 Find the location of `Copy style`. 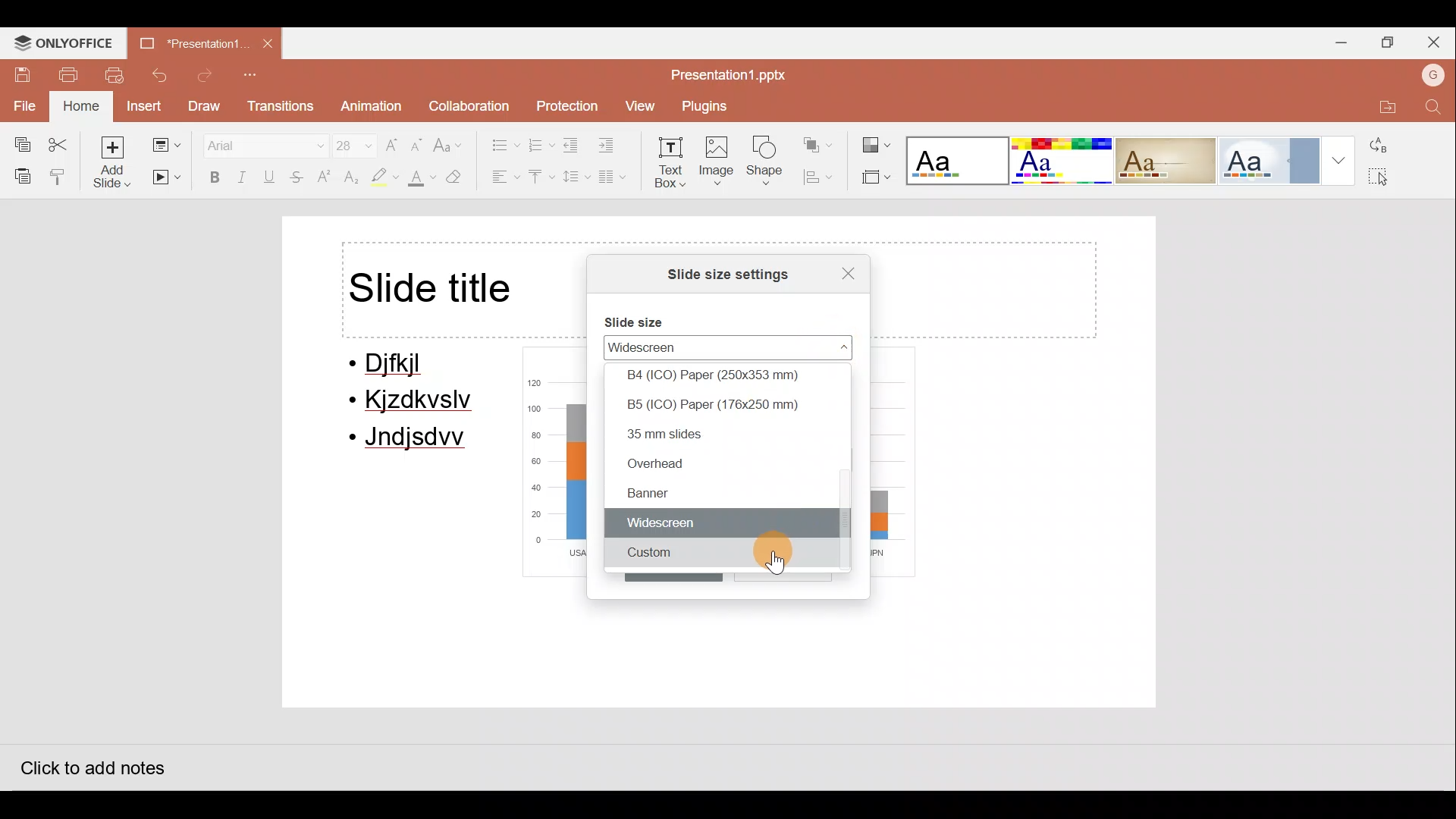

Copy style is located at coordinates (59, 176).